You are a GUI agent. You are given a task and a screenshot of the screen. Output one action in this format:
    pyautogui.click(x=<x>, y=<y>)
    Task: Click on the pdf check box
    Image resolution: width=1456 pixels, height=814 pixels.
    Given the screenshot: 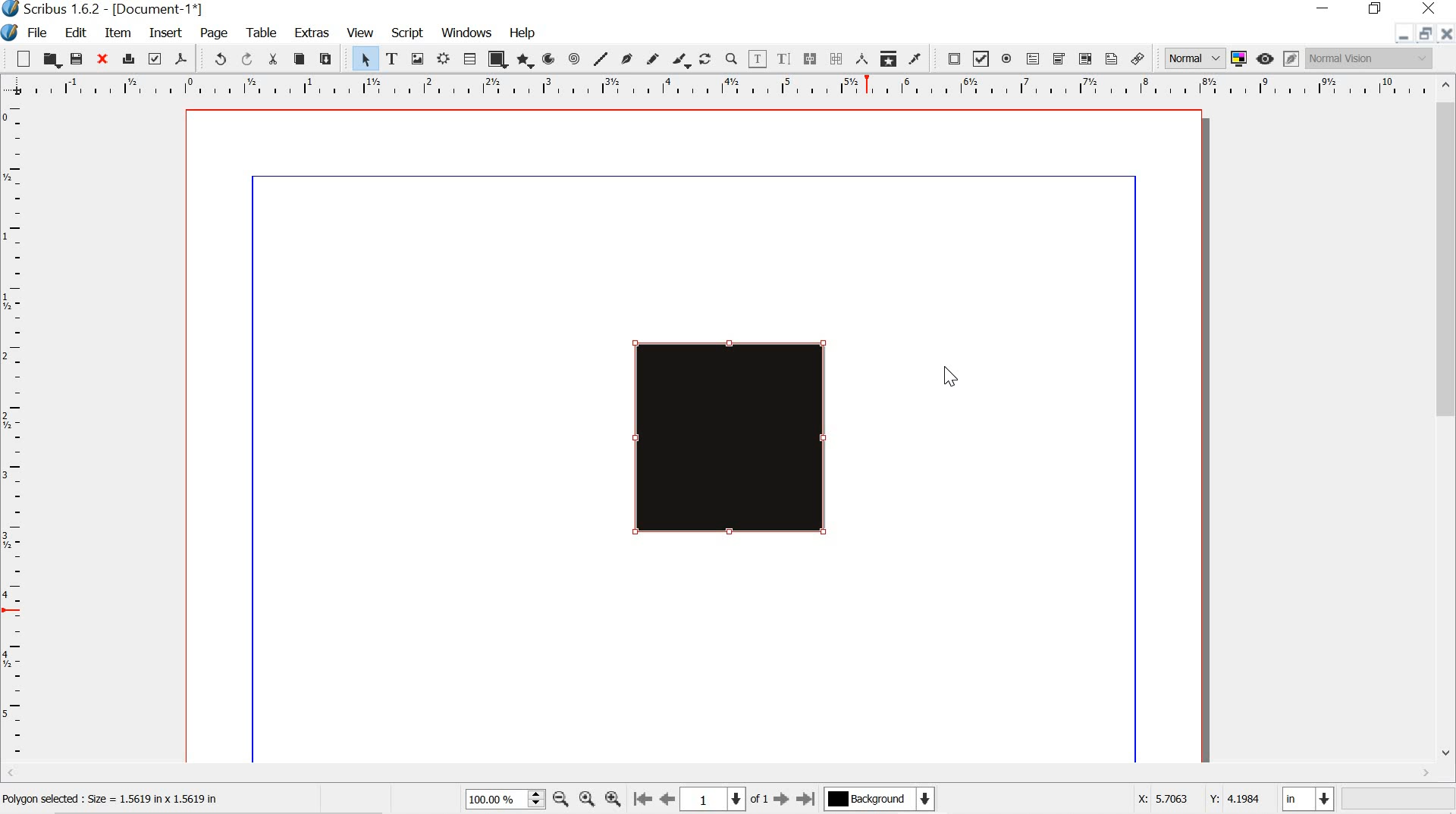 What is the action you would take?
    pyautogui.click(x=981, y=58)
    